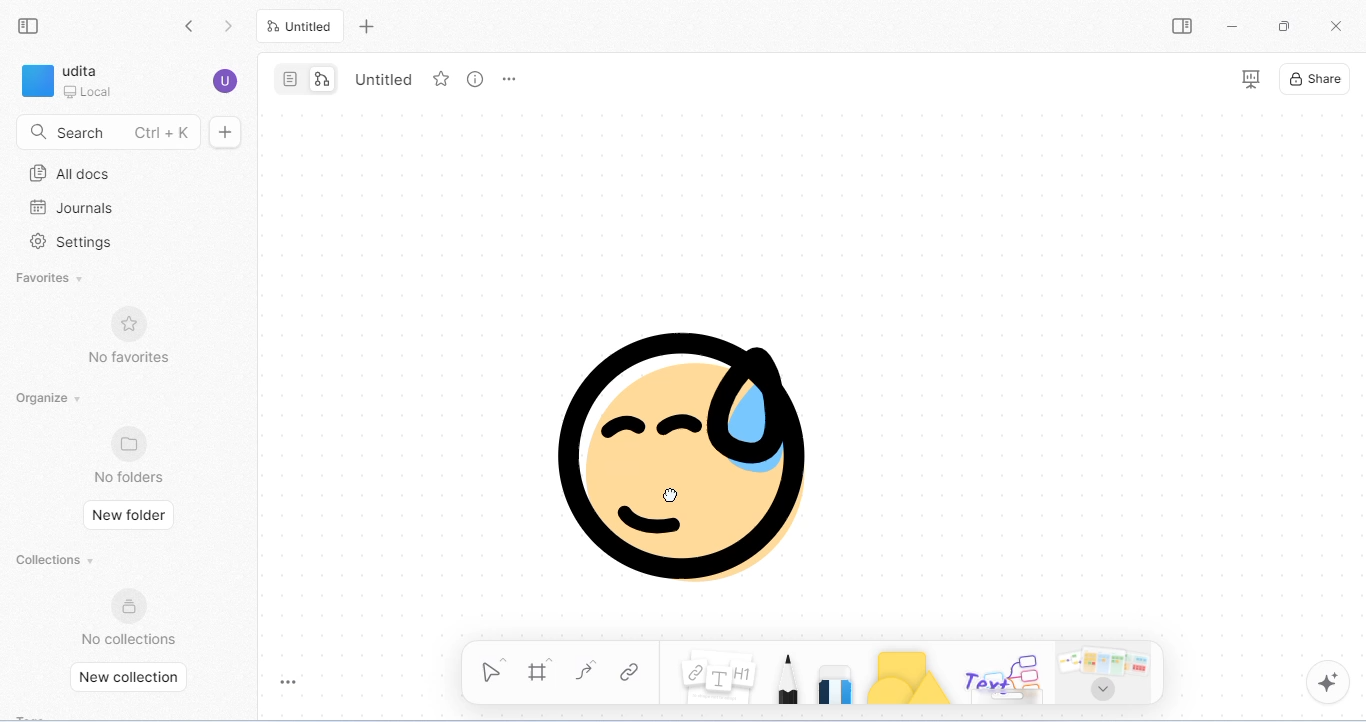  I want to click on emoji is moved, so click(685, 457).